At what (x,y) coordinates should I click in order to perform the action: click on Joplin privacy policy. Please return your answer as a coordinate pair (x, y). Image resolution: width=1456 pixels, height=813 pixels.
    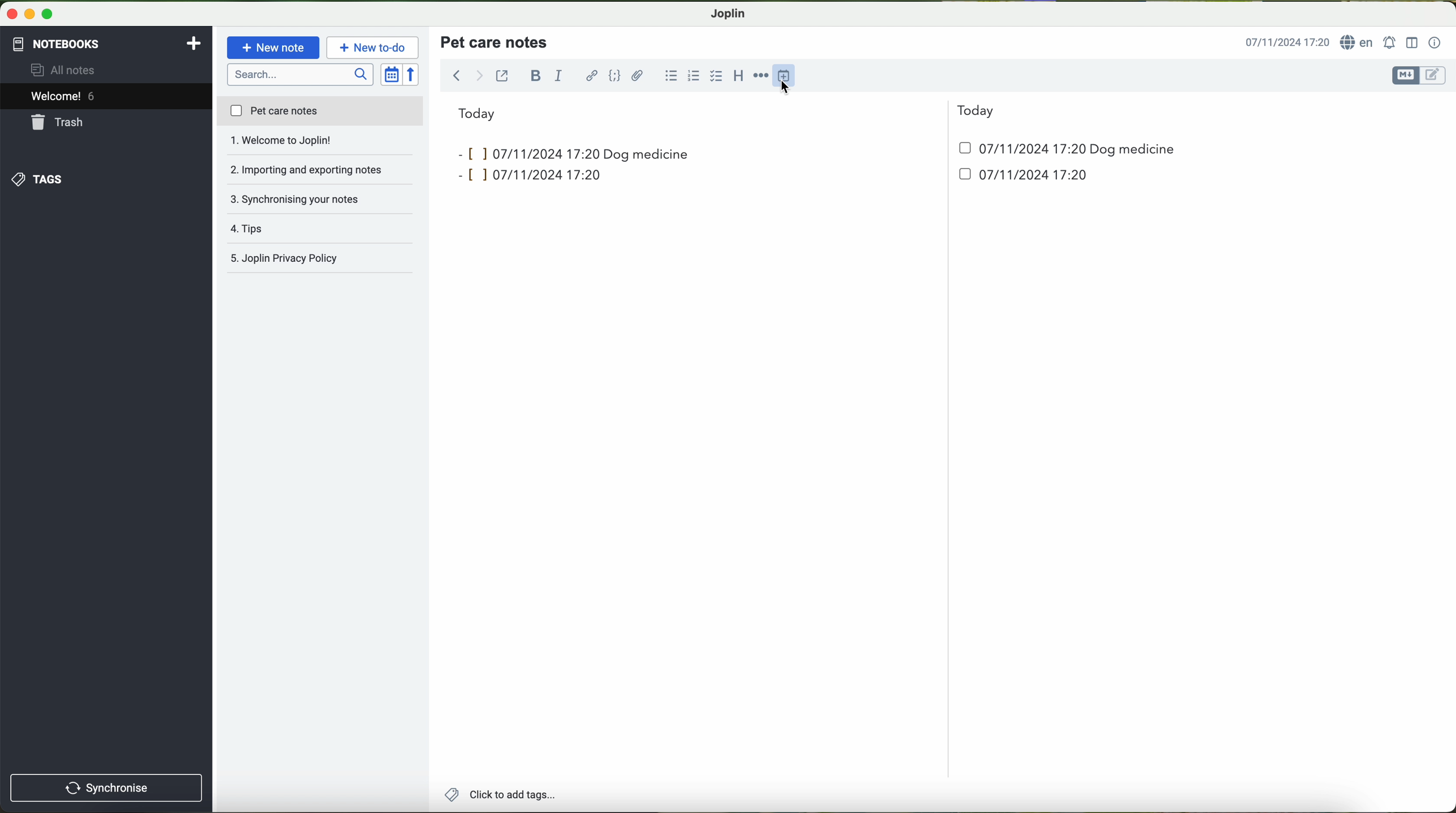
    Looking at the image, I should click on (321, 229).